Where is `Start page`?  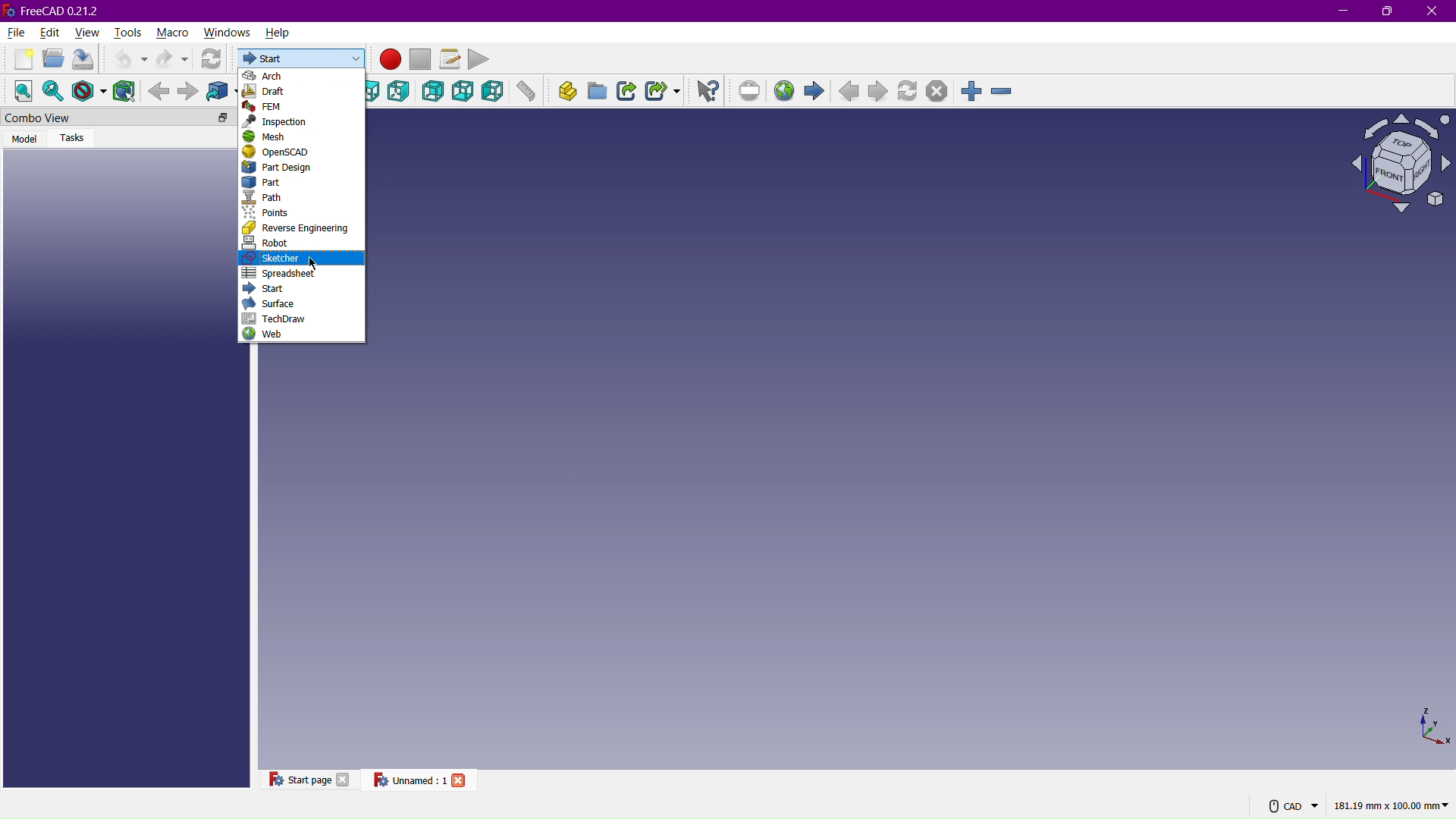
Start page is located at coordinates (299, 778).